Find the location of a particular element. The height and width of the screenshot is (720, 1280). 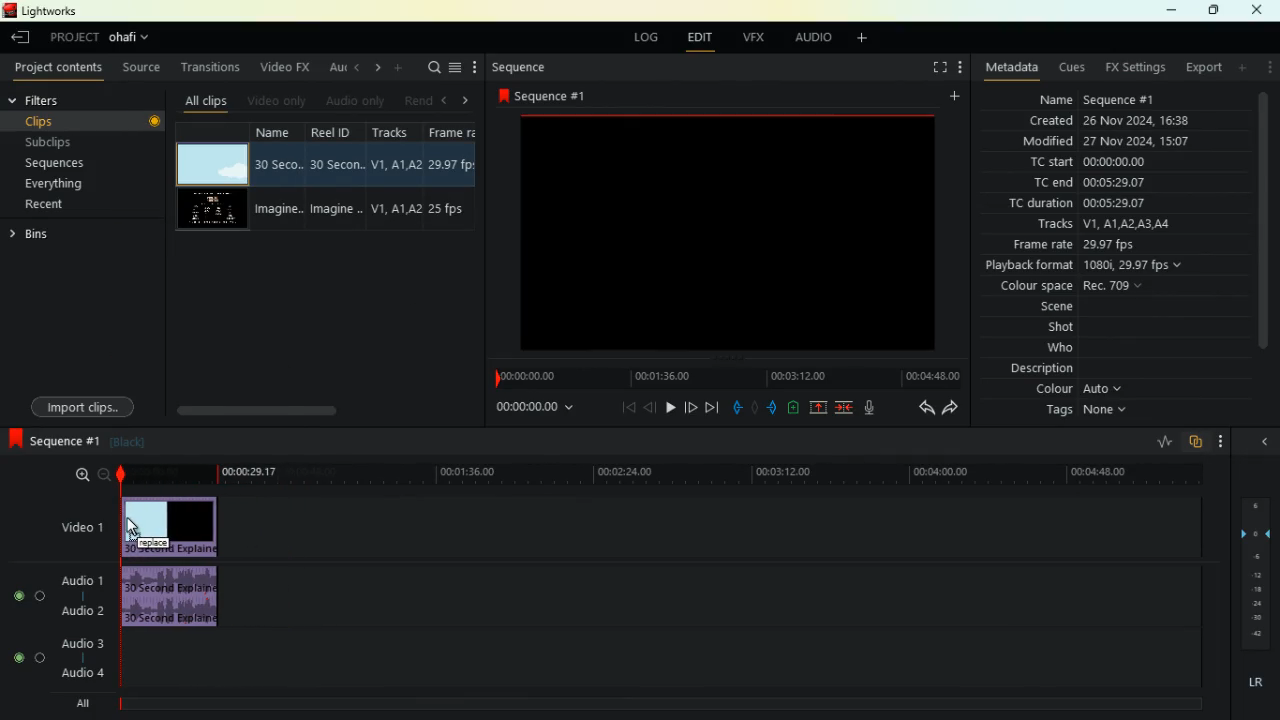

description is located at coordinates (1038, 368).